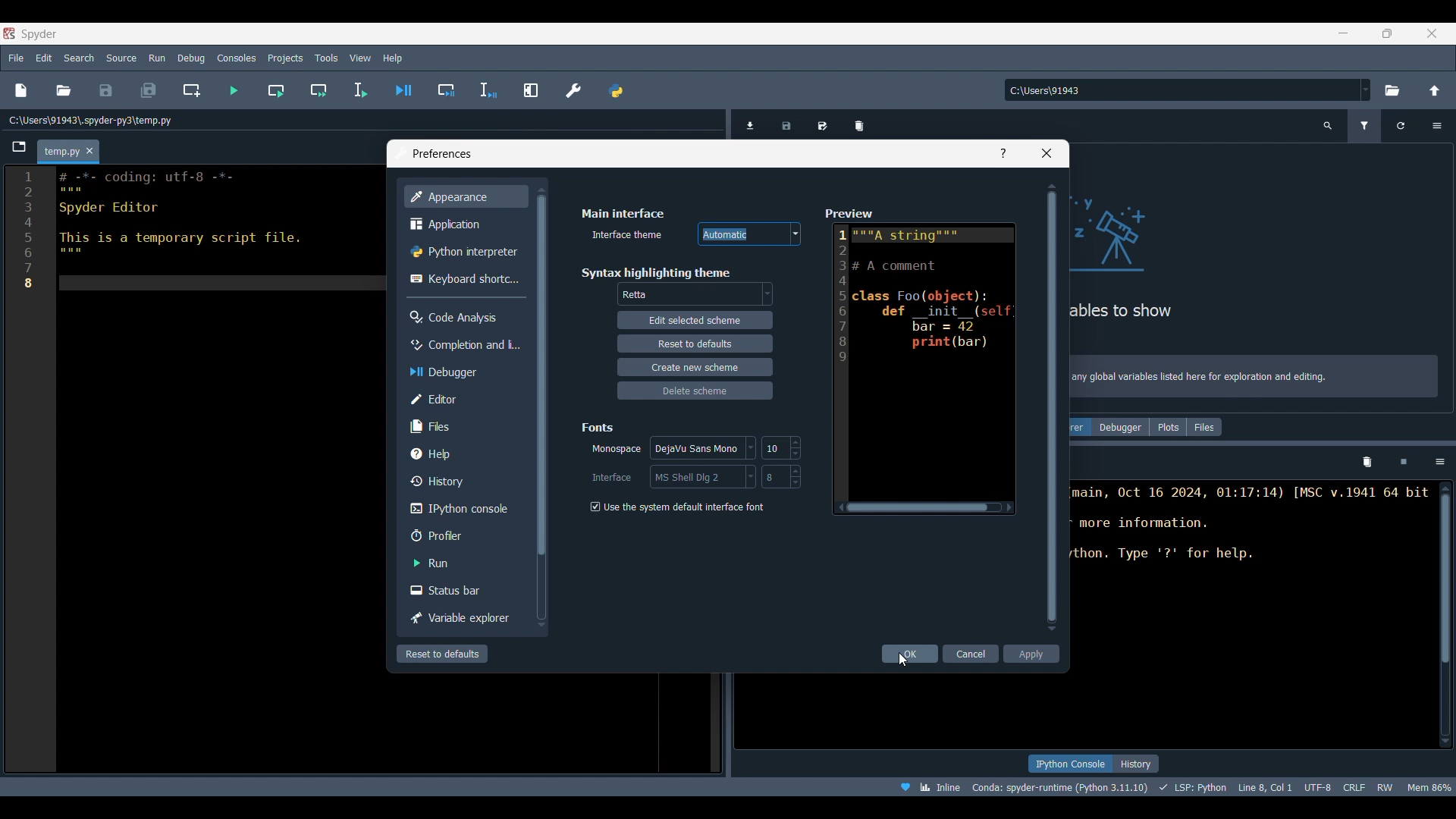  Describe the element at coordinates (359, 90) in the screenshot. I see `Run selection or current line` at that location.